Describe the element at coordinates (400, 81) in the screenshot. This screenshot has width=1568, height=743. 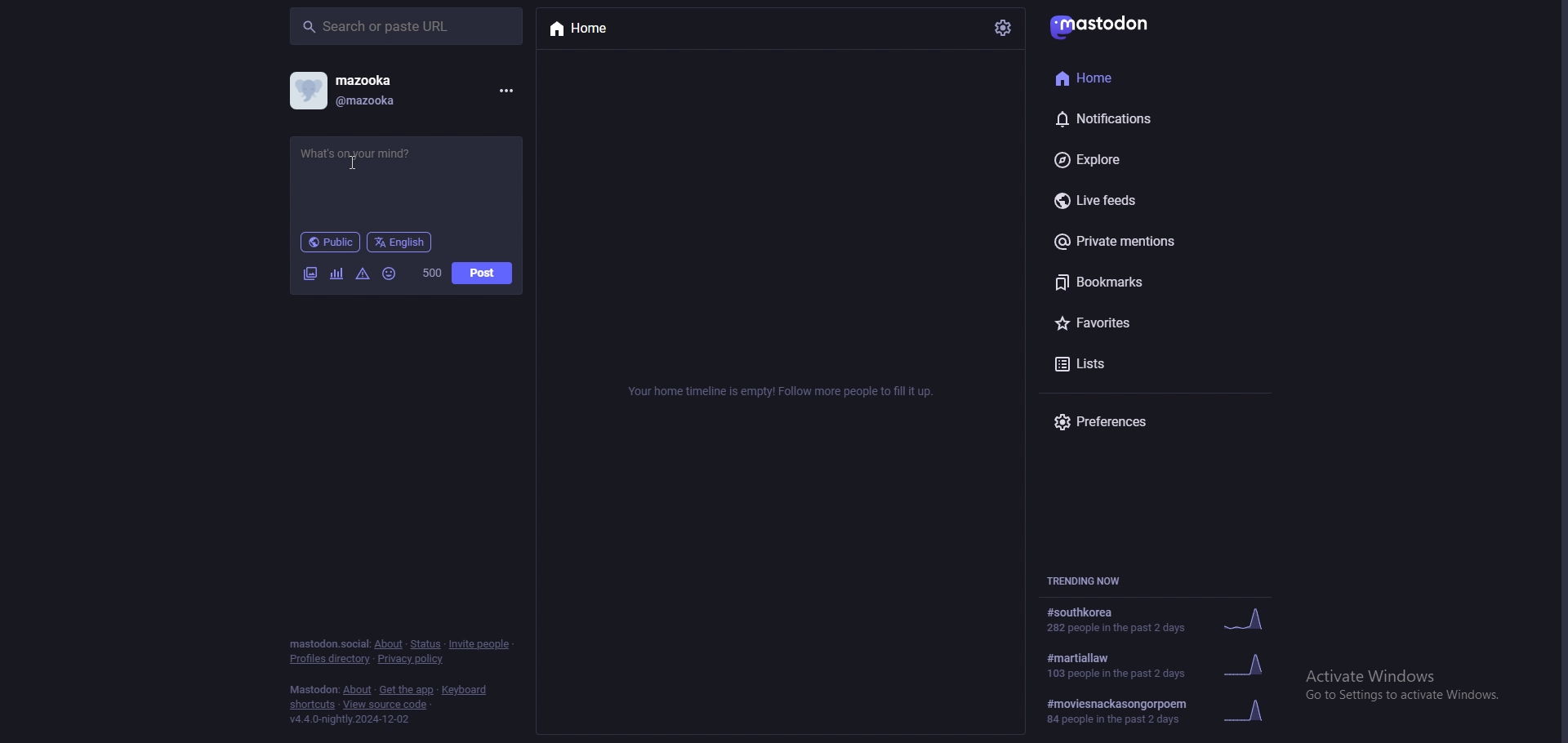
I see `mazooka` at that location.